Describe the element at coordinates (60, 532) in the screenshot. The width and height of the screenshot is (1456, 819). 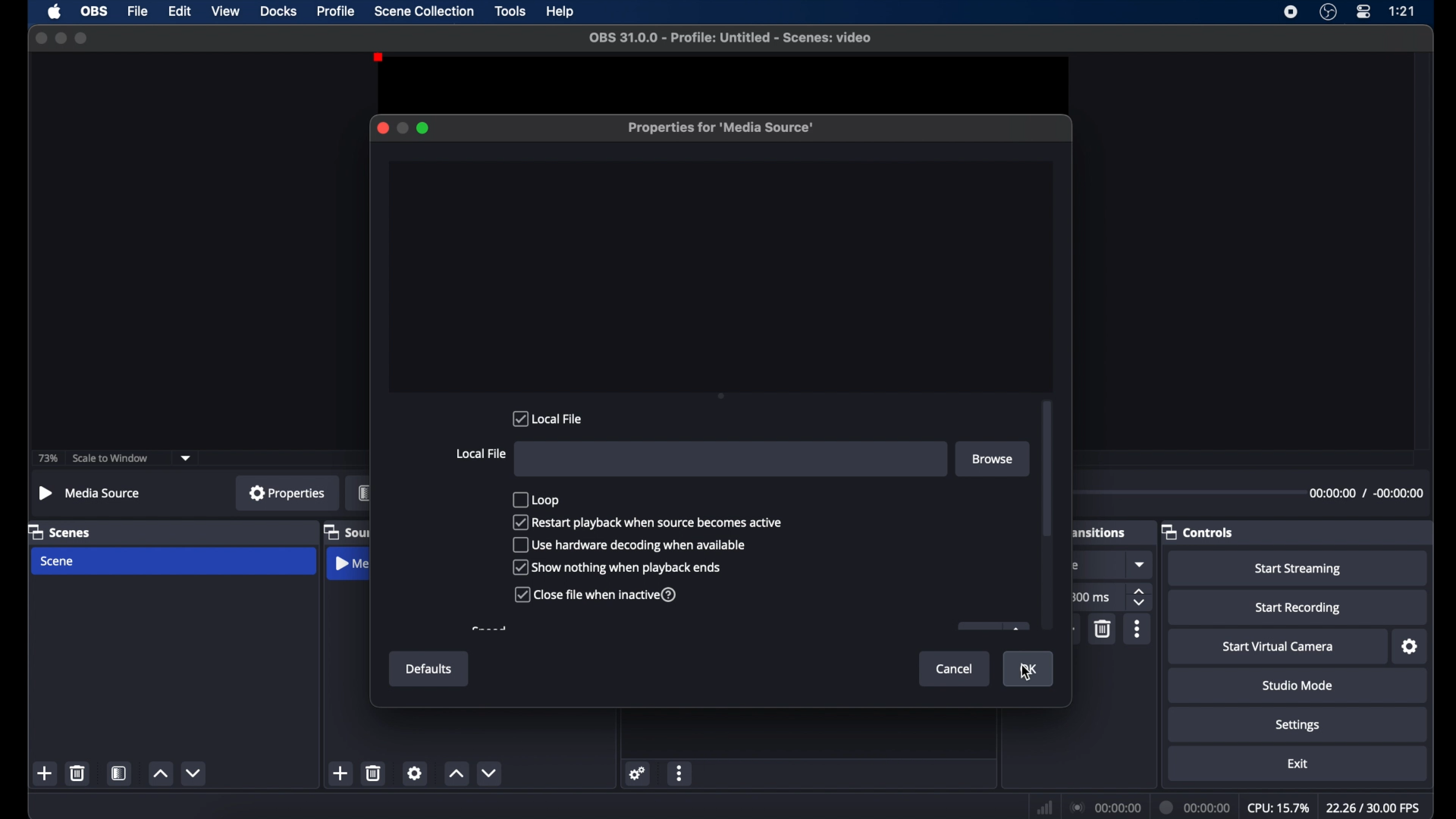
I see `scenes` at that location.